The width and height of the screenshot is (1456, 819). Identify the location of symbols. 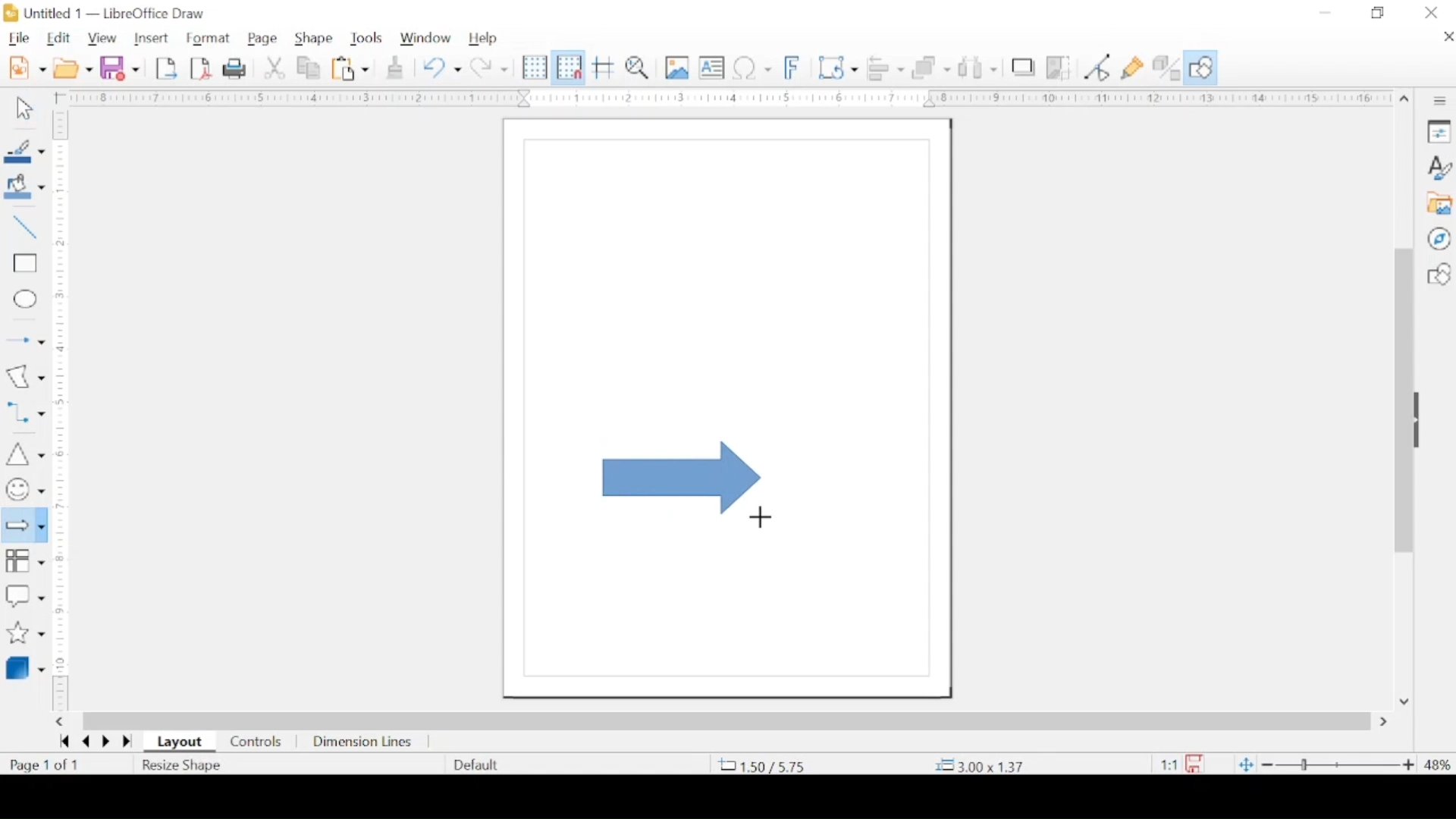
(24, 490).